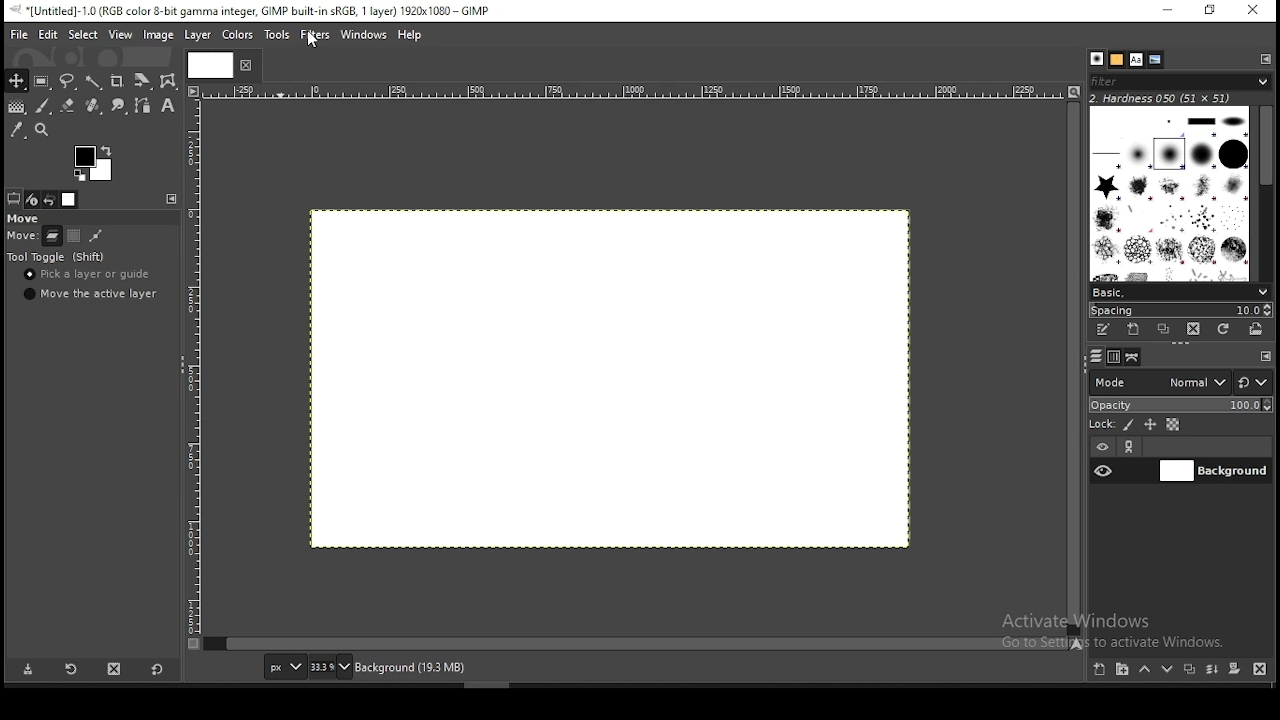  Describe the element at coordinates (198, 35) in the screenshot. I see `layer` at that location.